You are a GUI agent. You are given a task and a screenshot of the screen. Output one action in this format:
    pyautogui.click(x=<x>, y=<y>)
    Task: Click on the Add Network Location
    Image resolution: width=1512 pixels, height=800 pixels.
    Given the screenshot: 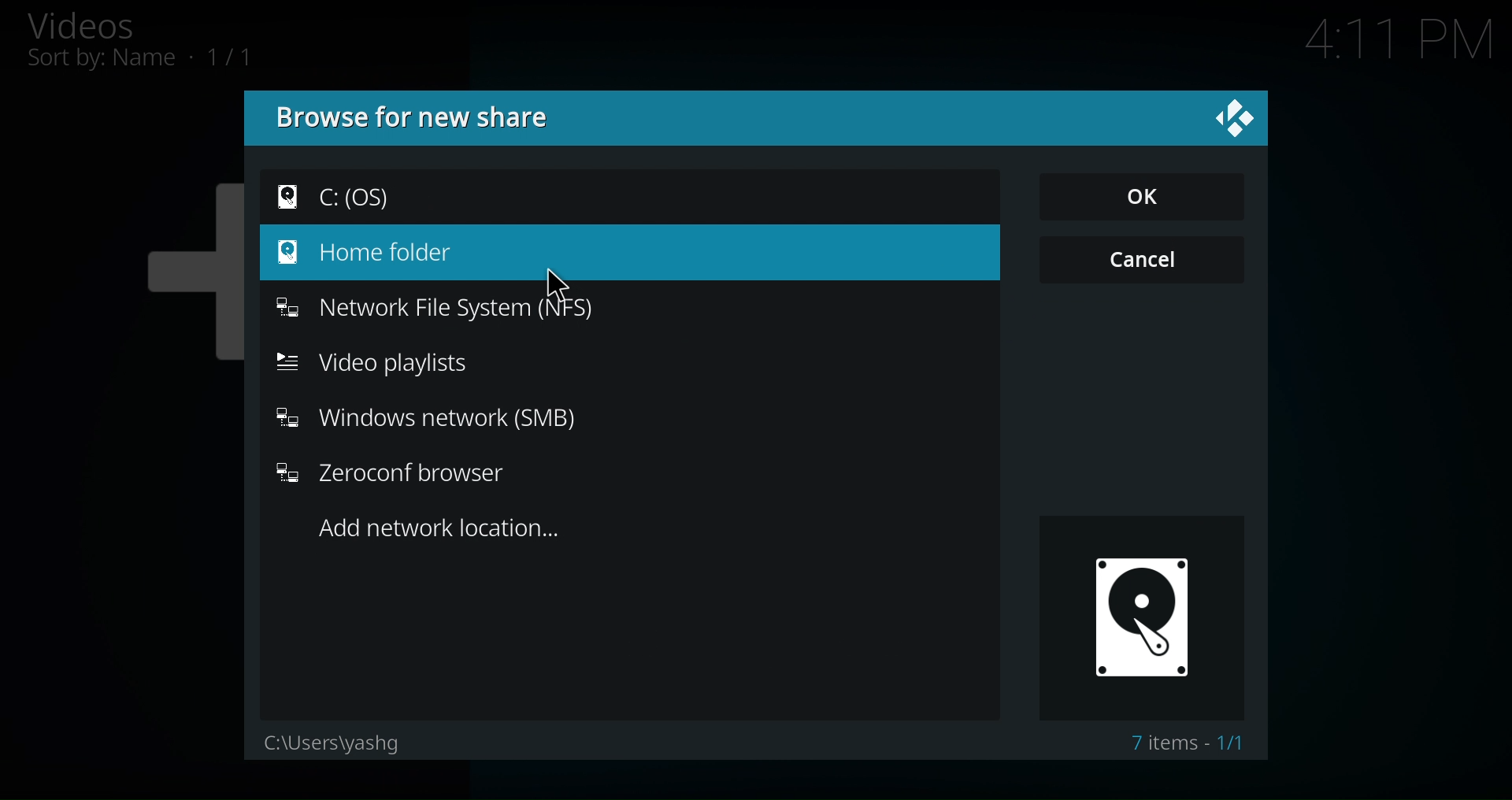 What is the action you would take?
    pyautogui.click(x=448, y=530)
    